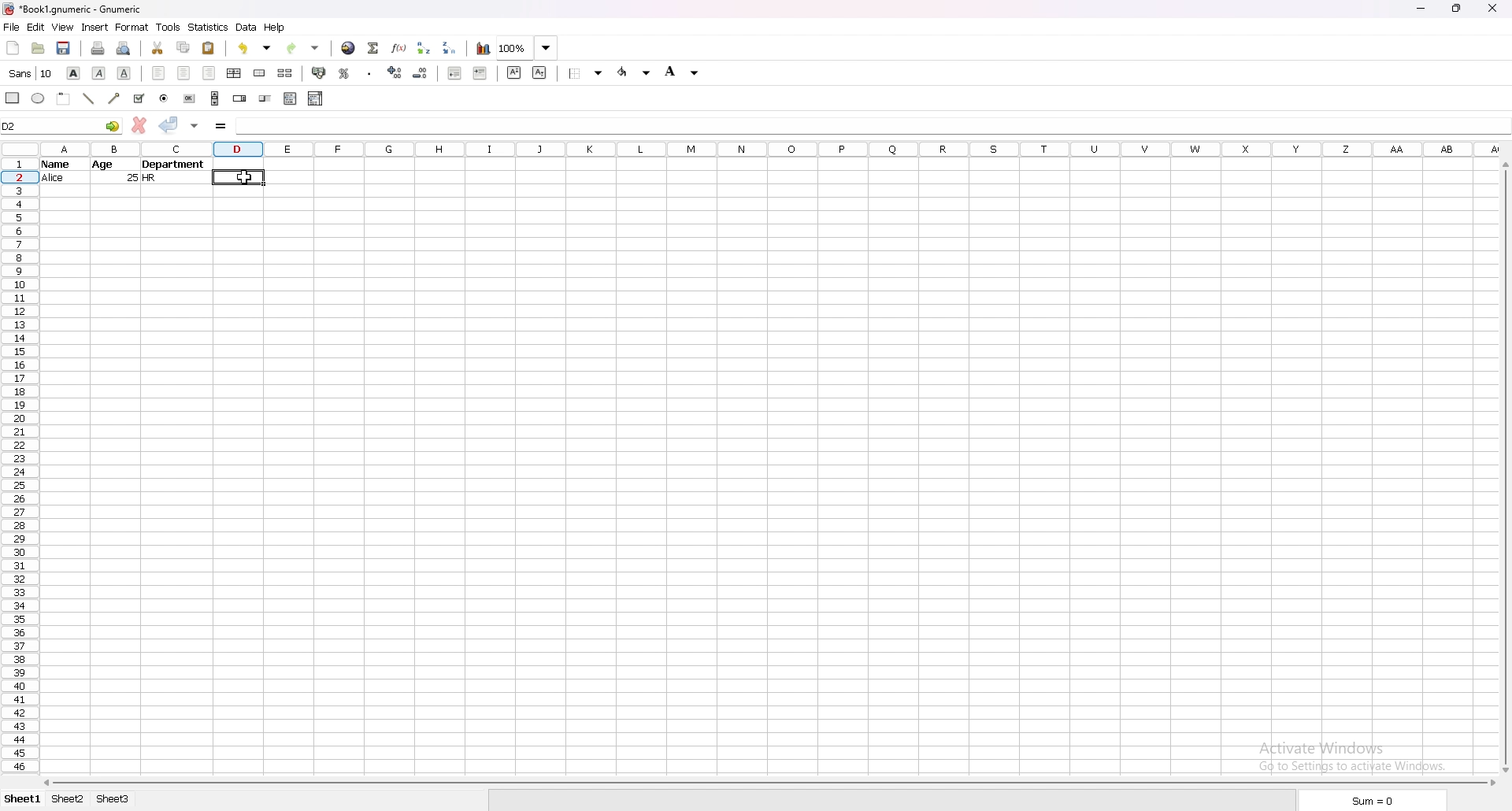 The width and height of the screenshot is (1512, 811). What do you see at coordinates (22, 799) in the screenshot?
I see `sheet 1` at bounding box center [22, 799].